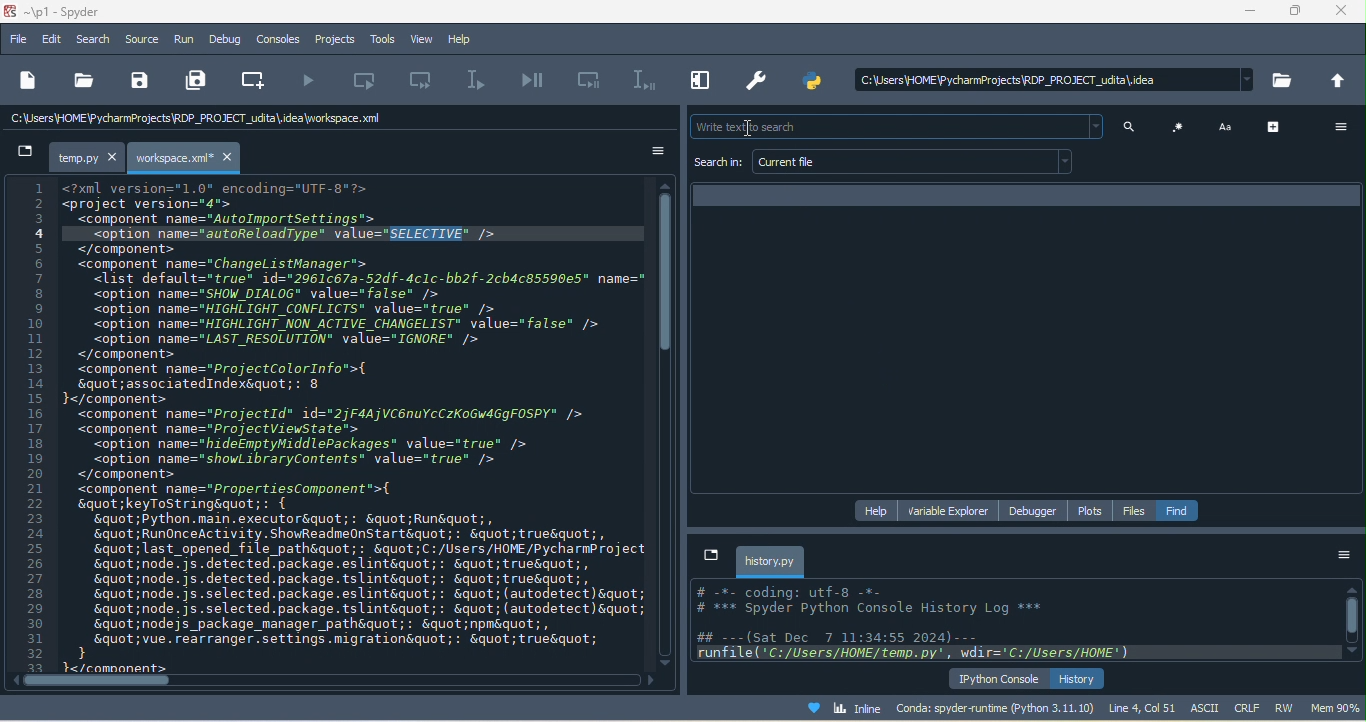  I want to click on write text to search search, so click(893, 127).